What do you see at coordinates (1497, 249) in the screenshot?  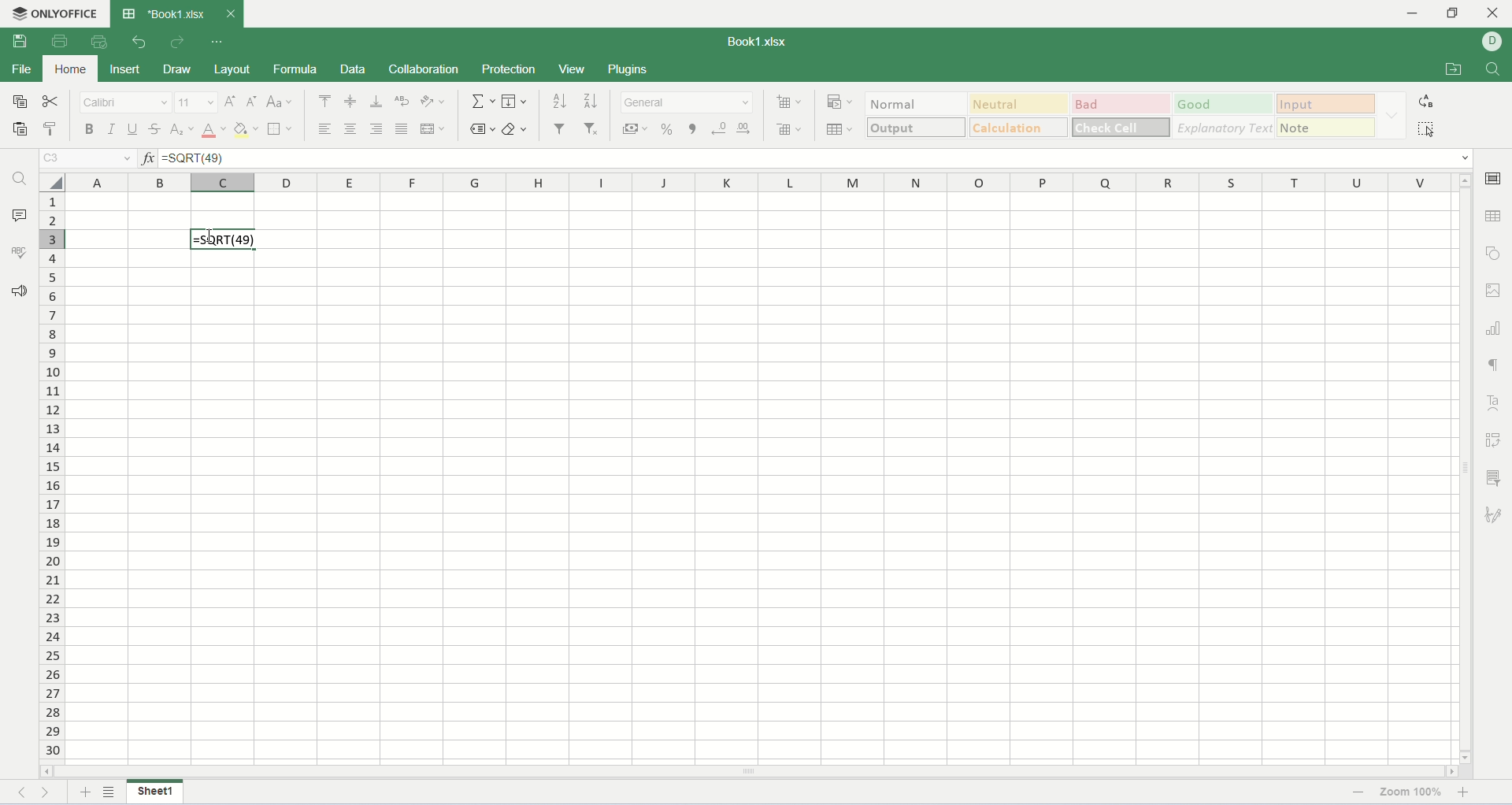 I see `object settings` at bounding box center [1497, 249].